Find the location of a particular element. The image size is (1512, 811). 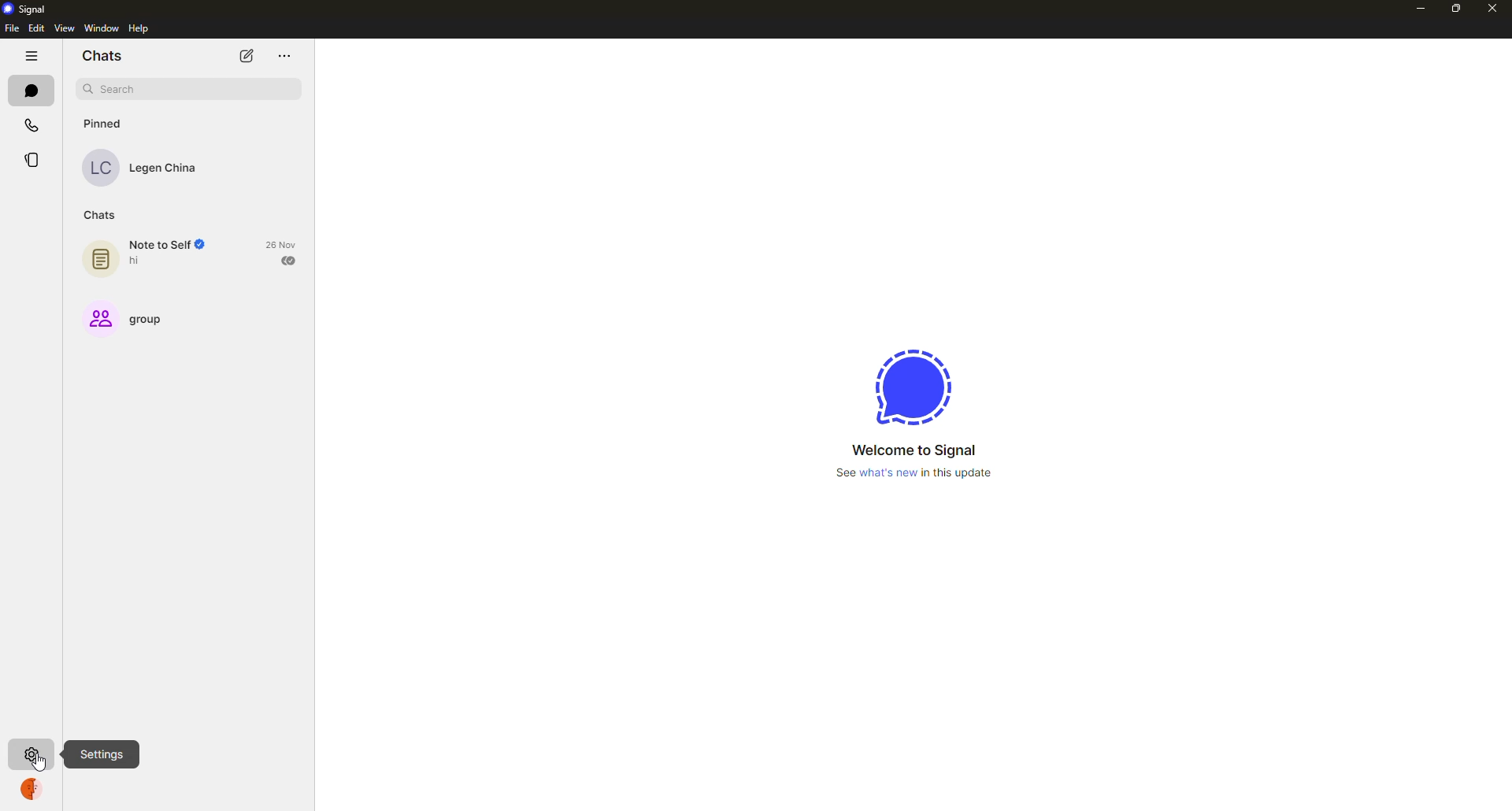

view is located at coordinates (65, 28).